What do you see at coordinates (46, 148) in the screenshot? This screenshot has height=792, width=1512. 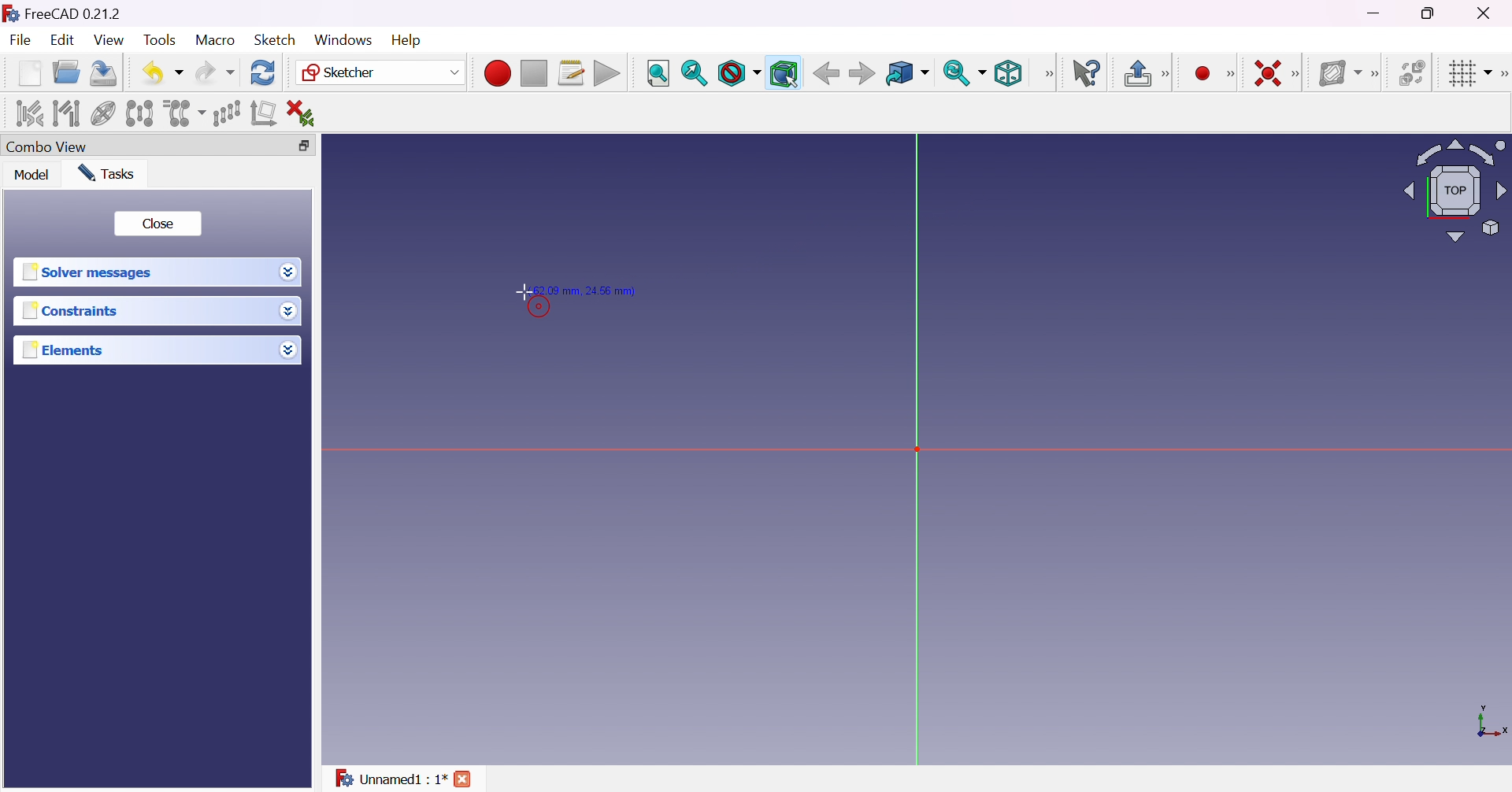 I see `Combo view` at bounding box center [46, 148].